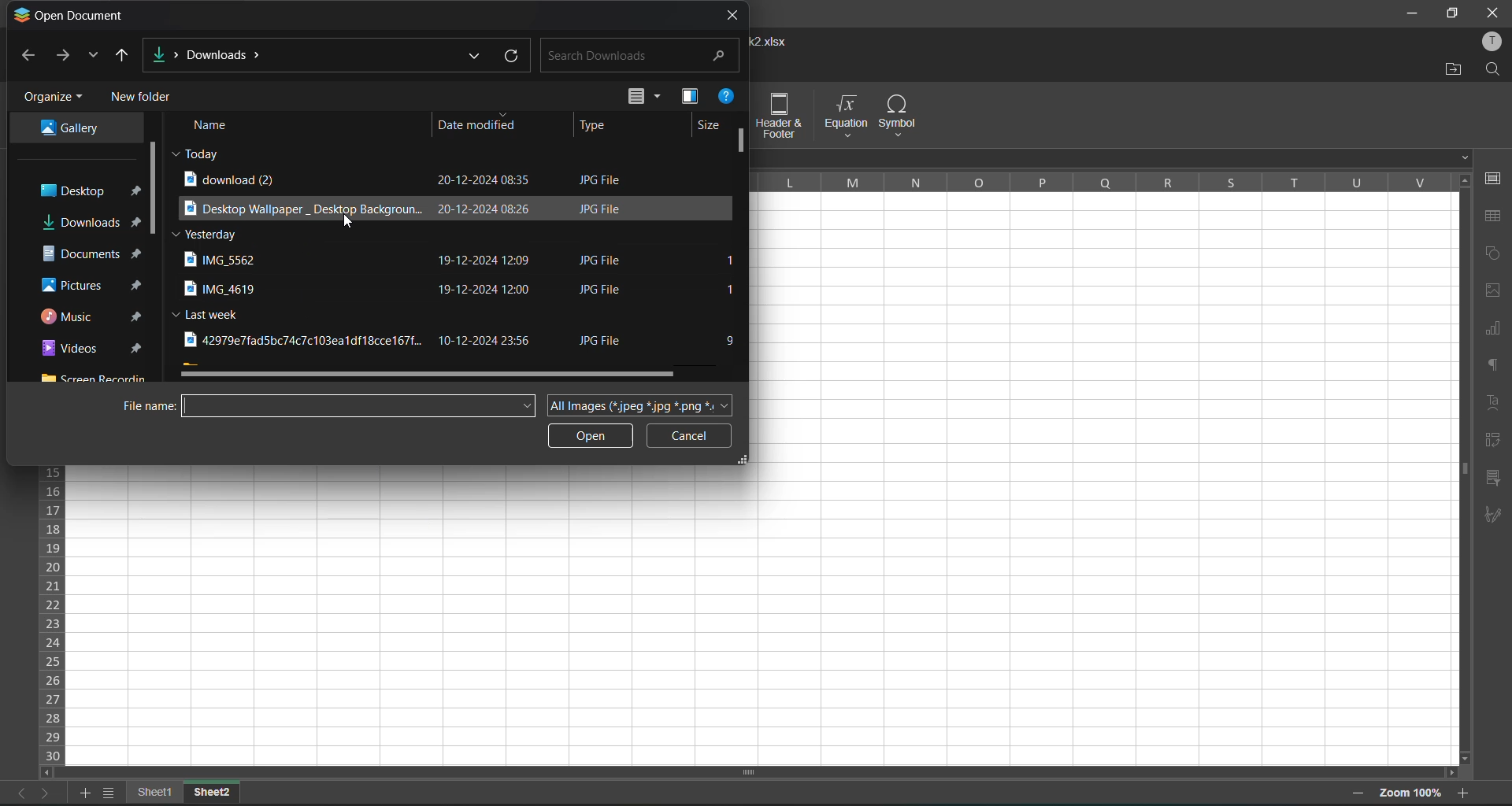  I want to click on organize, so click(52, 98).